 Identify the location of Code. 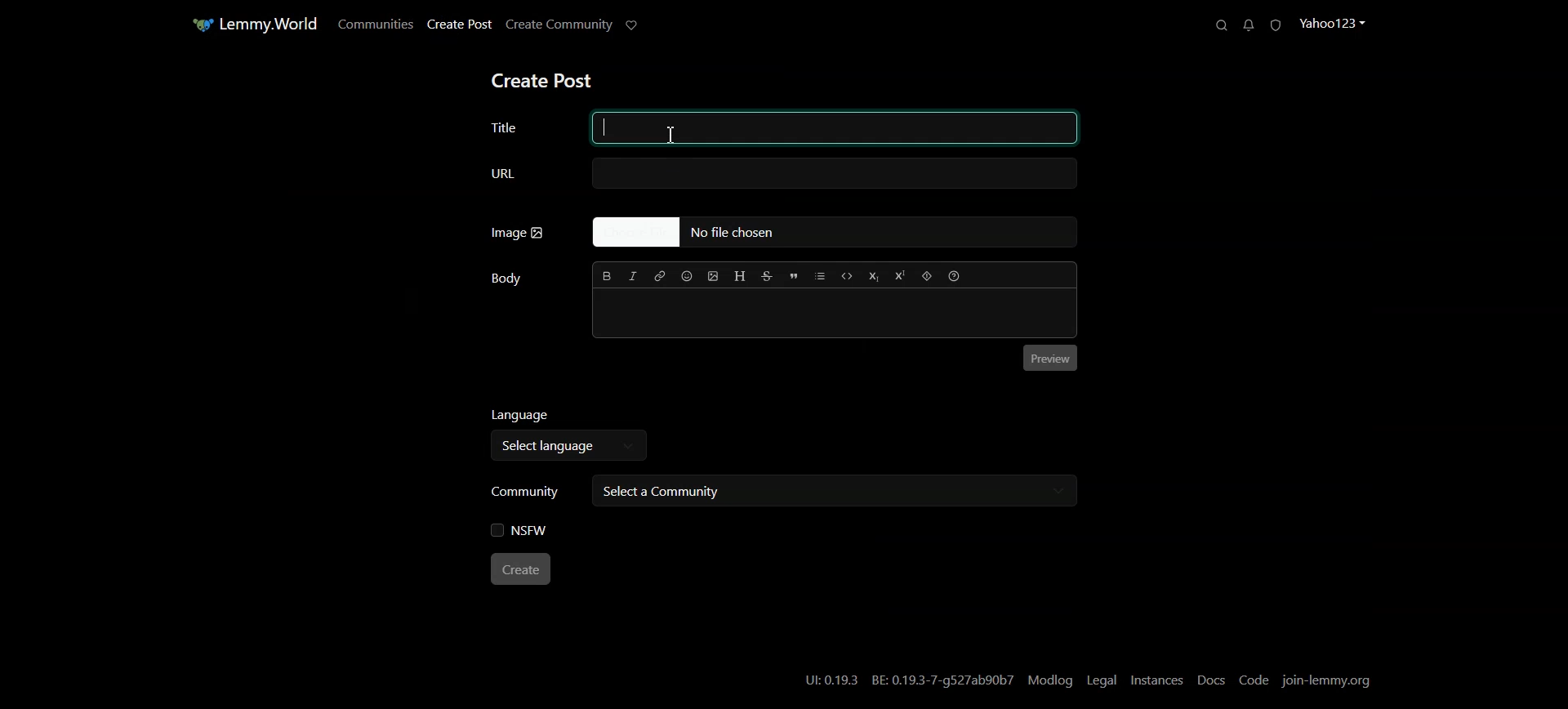
(1255, 680).